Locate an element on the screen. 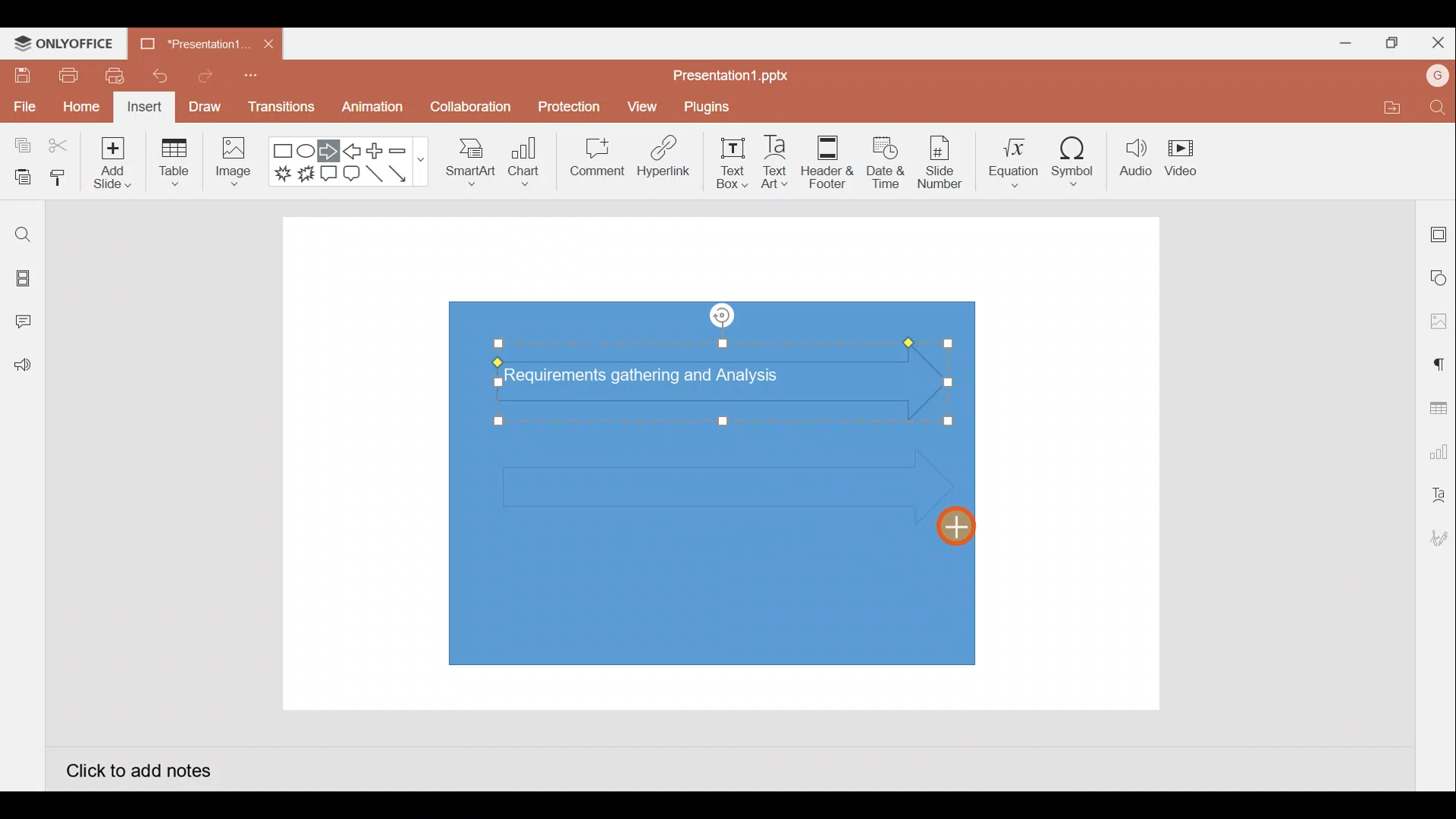 This screenshot has width=1456, height=819. Arrow is located at coordinates (406, 174).